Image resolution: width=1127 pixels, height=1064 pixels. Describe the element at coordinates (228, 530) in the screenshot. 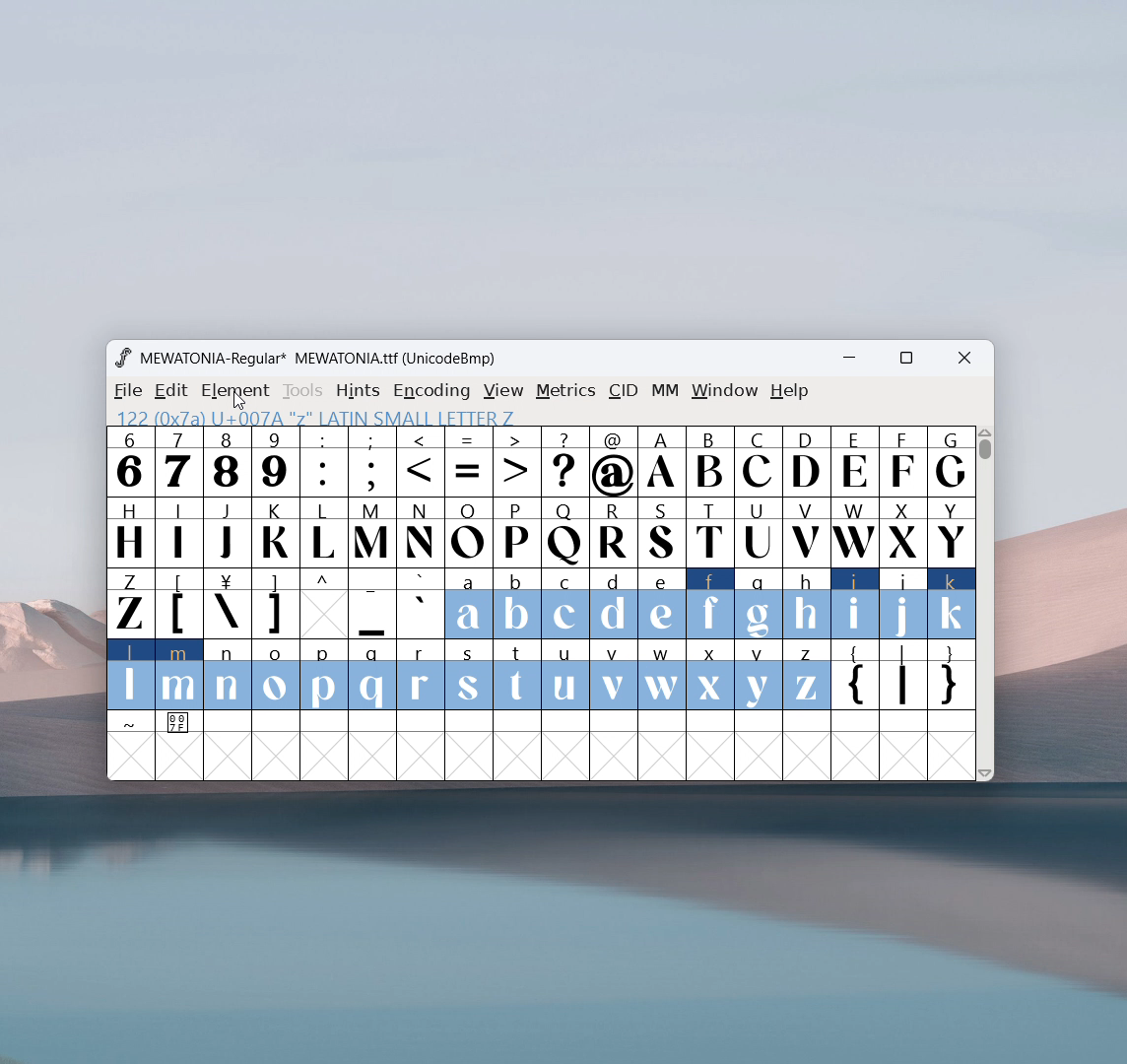

I see `J` at that location.